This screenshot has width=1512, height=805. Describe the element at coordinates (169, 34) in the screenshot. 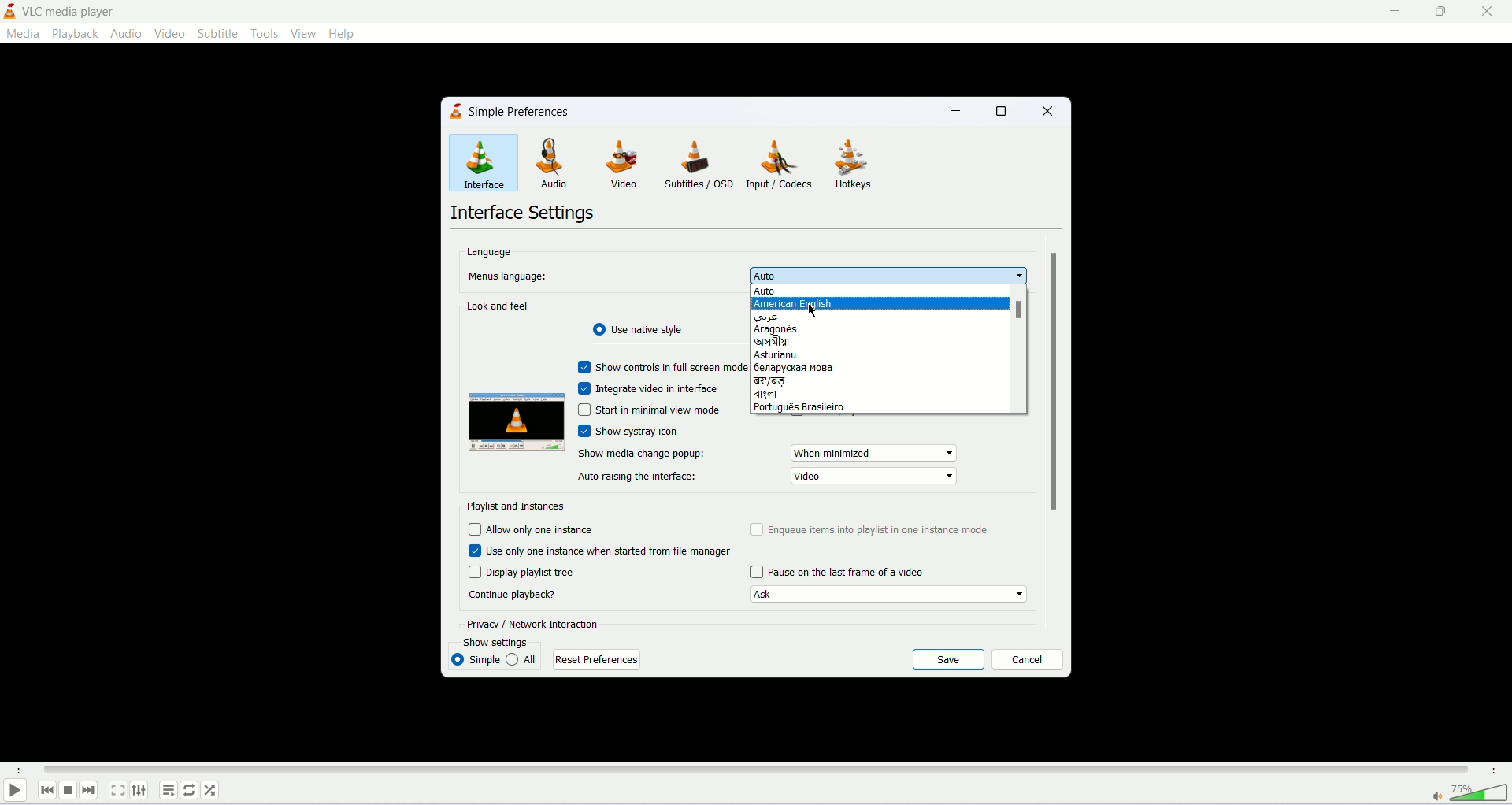

I see `video` at that location.